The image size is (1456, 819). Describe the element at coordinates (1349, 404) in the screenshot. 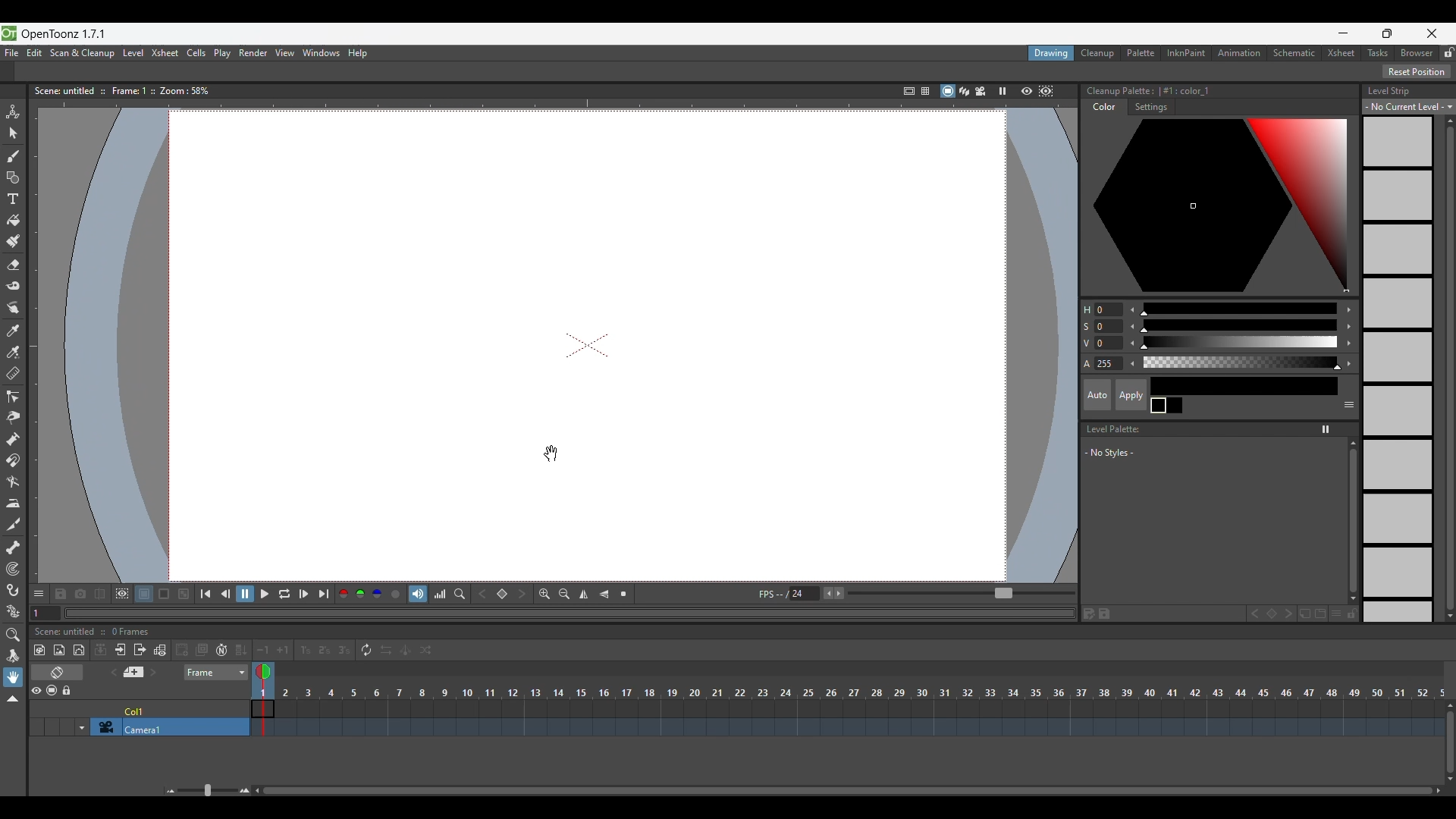

I see `Show or hide parts of the color page` at that location.